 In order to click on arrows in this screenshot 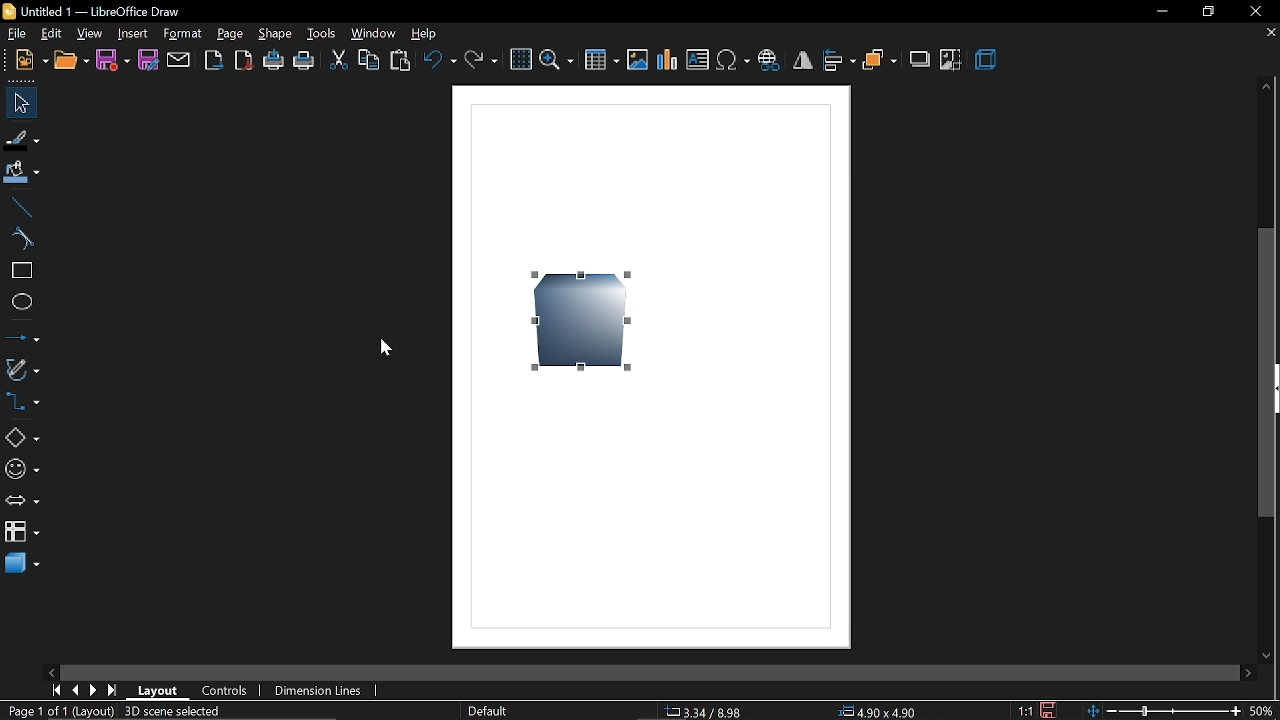, I will do `click(22, 500)`.